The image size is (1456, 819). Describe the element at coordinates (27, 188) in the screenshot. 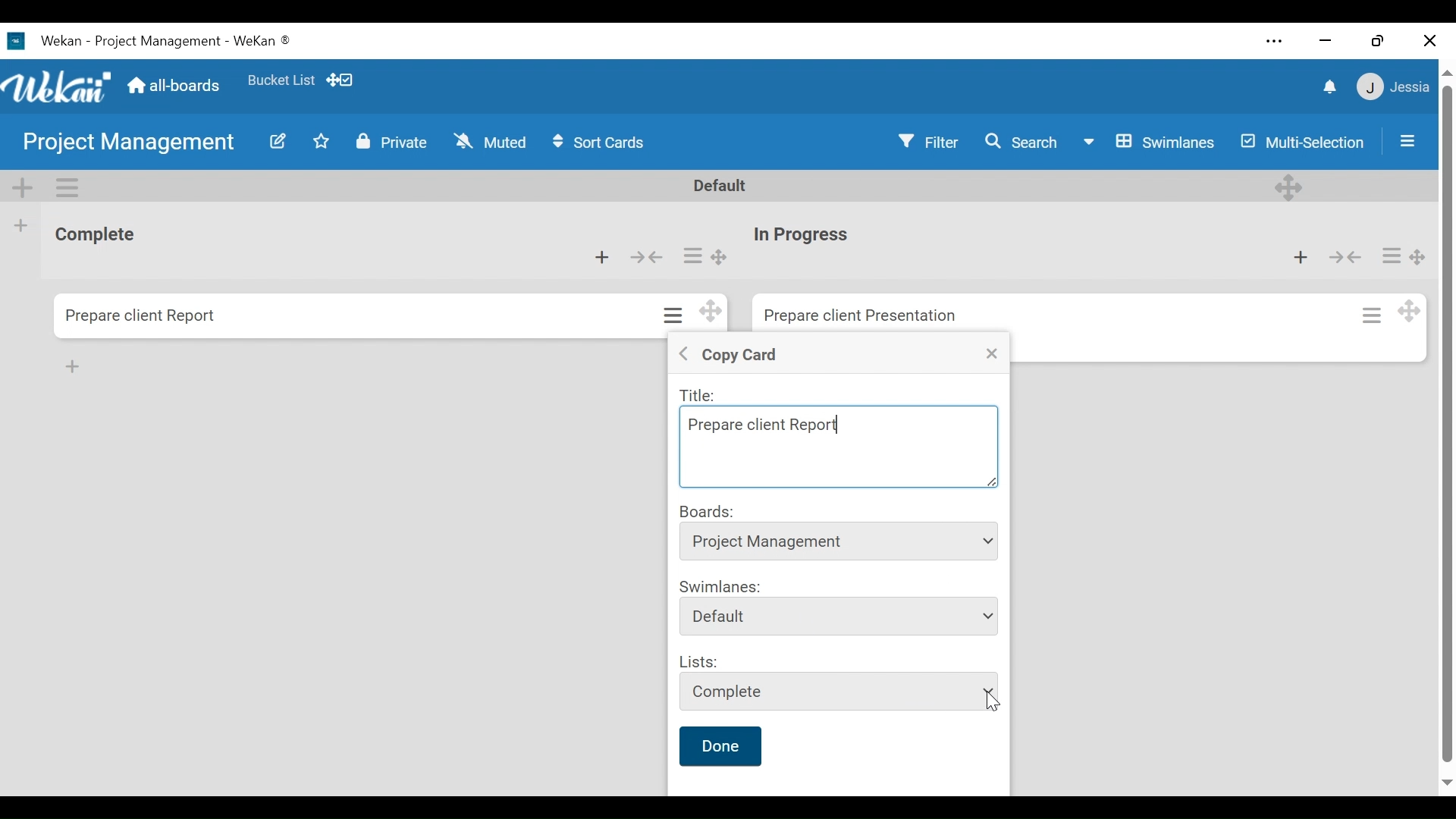

I see `Add Swimlane` at that location.